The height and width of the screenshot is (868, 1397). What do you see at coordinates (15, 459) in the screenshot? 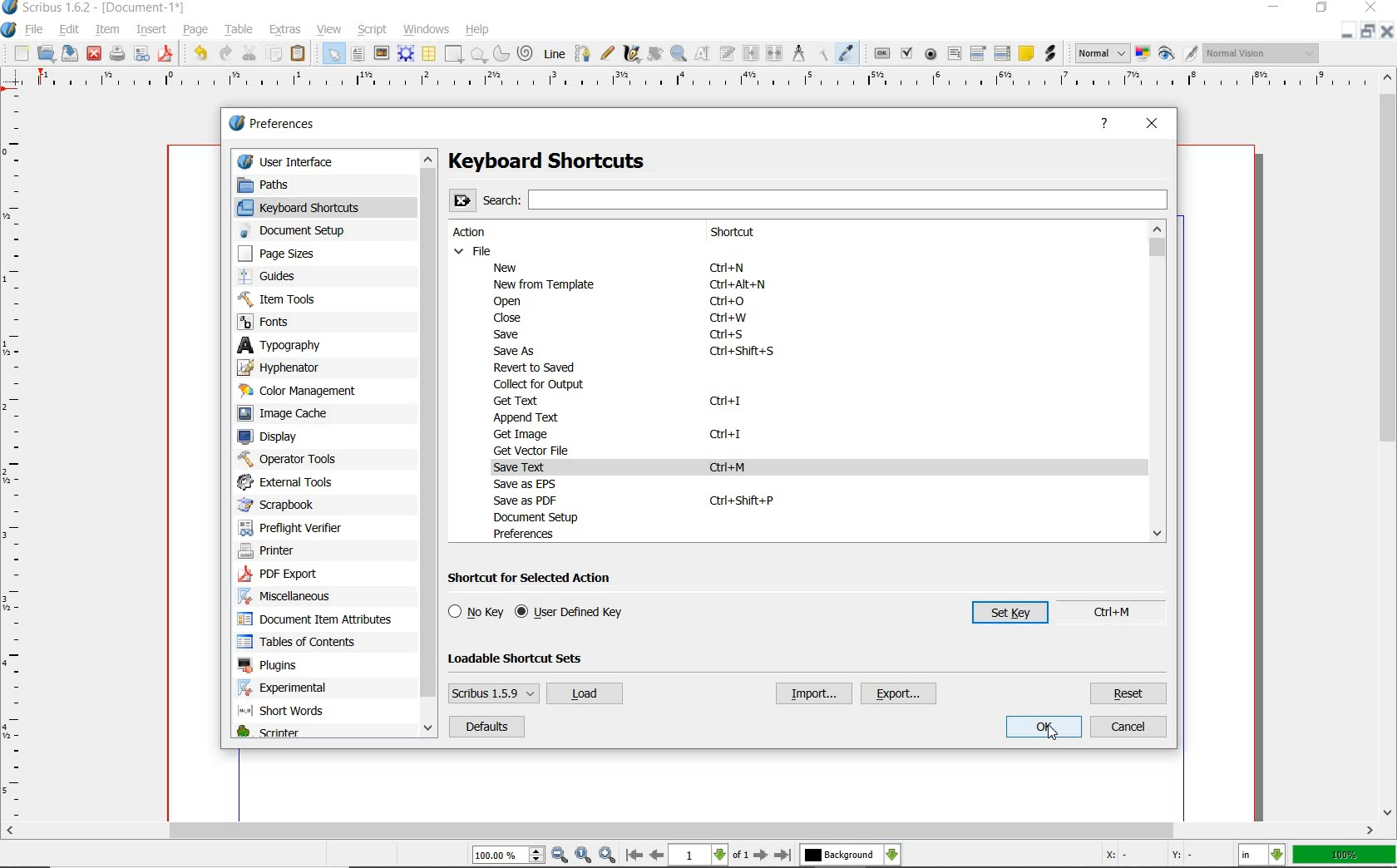
I see `ruler` at bounding box center [15, 459].